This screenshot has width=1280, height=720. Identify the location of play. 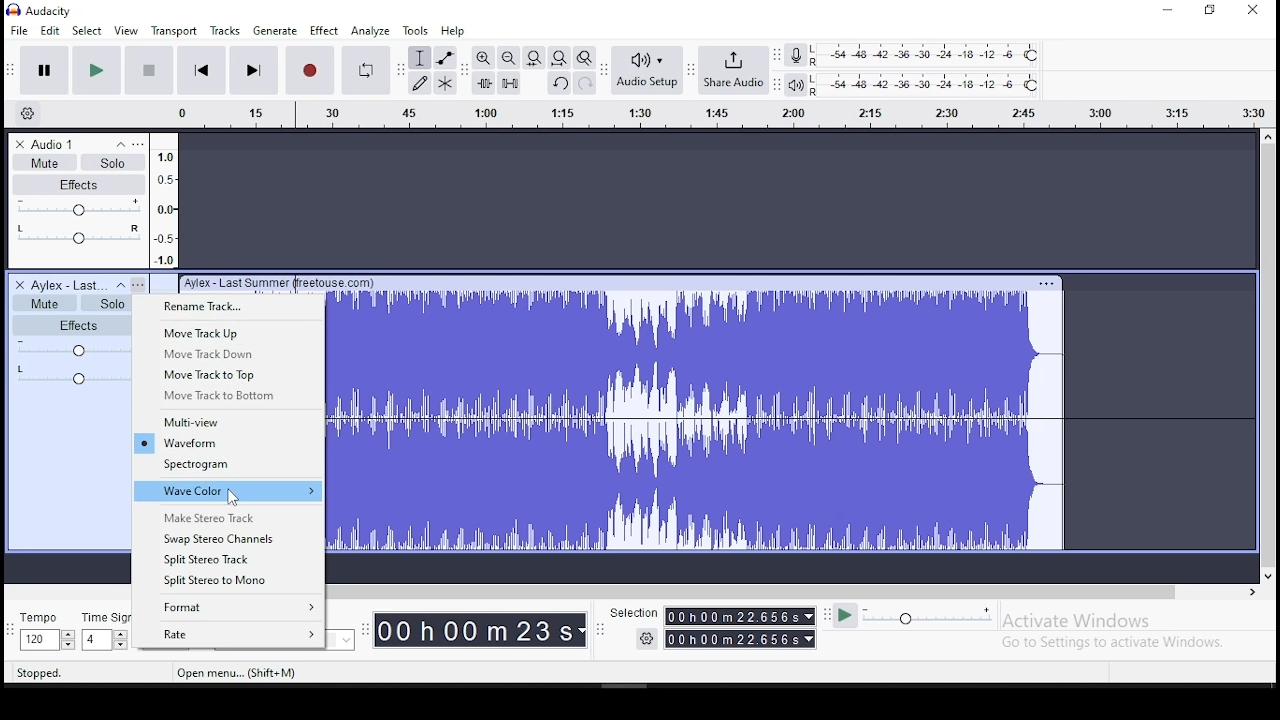
(96, 71).